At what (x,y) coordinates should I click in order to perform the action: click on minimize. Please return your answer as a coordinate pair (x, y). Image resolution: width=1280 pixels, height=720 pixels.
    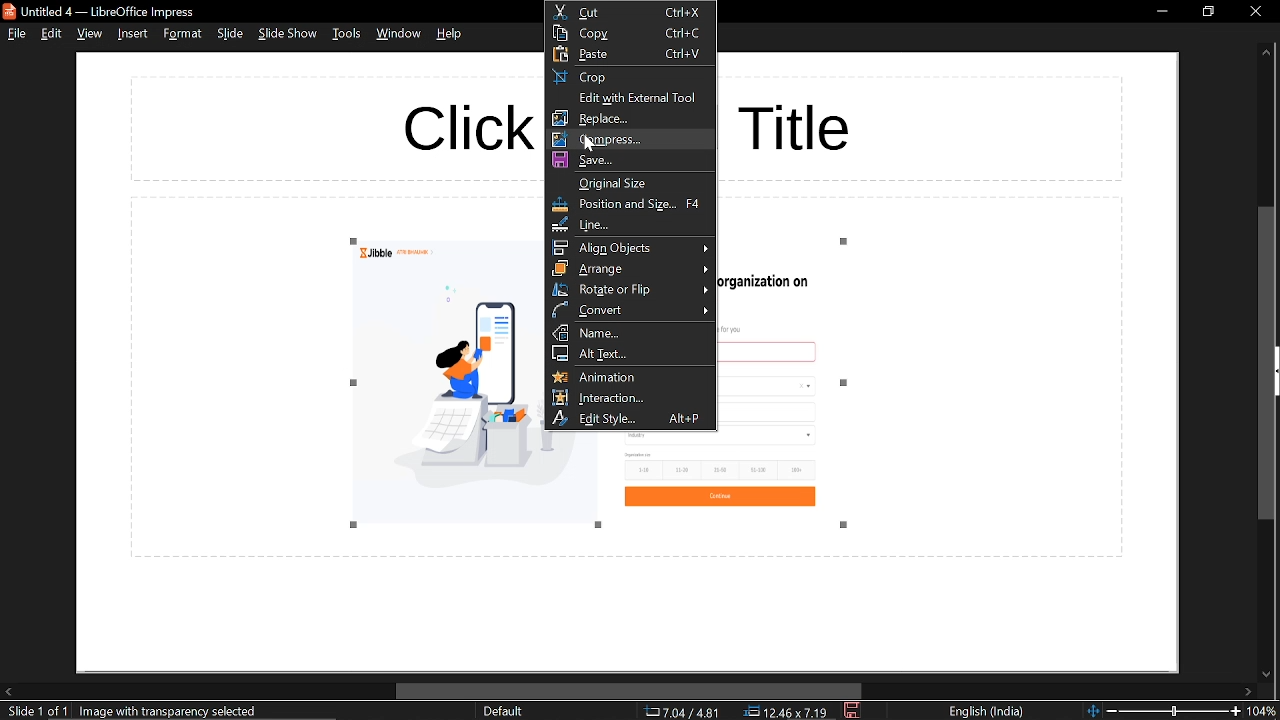
    Looking at the image, I should click on (1162, 11).